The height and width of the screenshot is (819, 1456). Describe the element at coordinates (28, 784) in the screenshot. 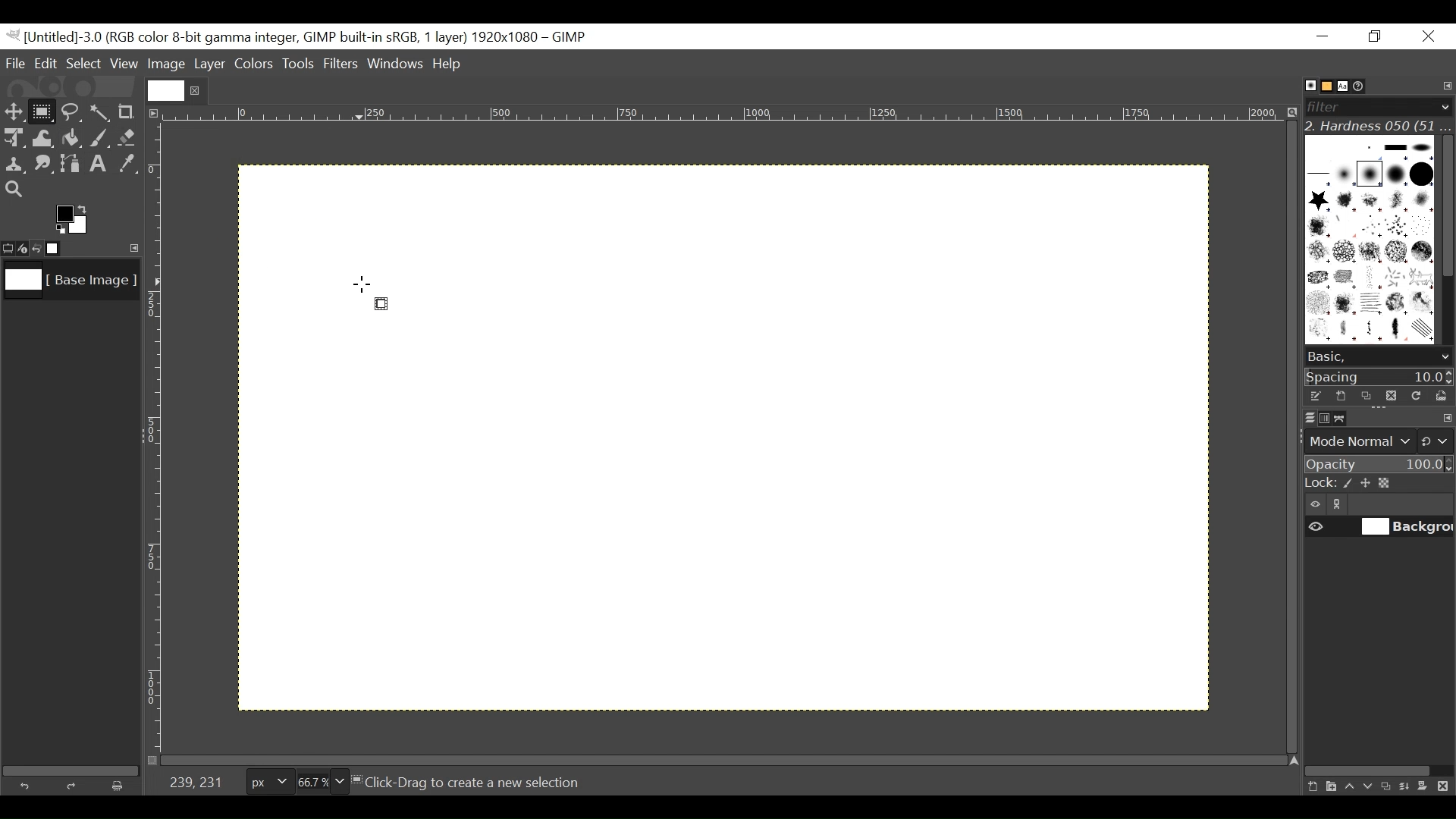

I see `Undo` at that location.